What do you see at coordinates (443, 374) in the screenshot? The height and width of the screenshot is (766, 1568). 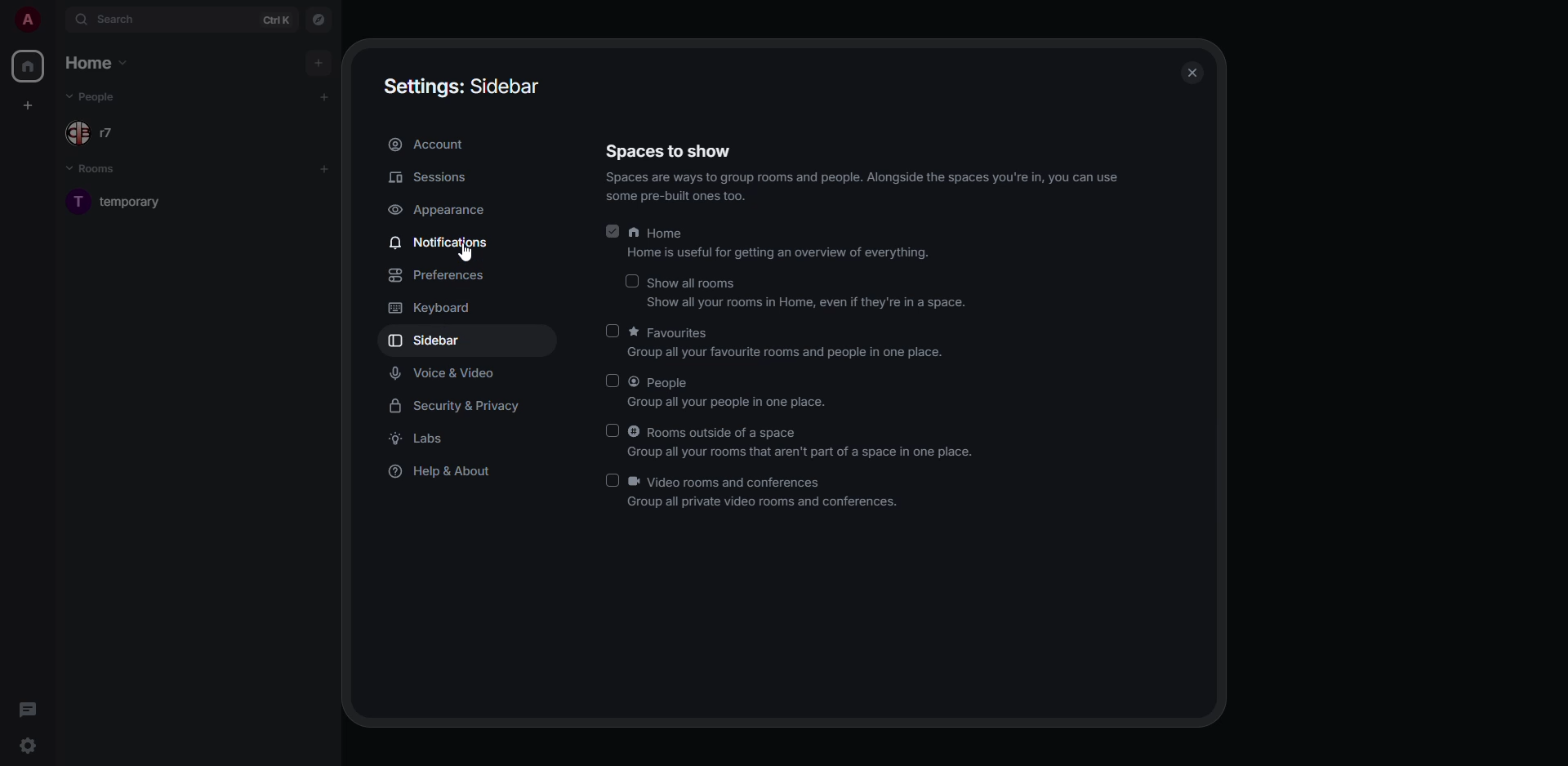 I see `voice & video` at bounding box center [443, 374].